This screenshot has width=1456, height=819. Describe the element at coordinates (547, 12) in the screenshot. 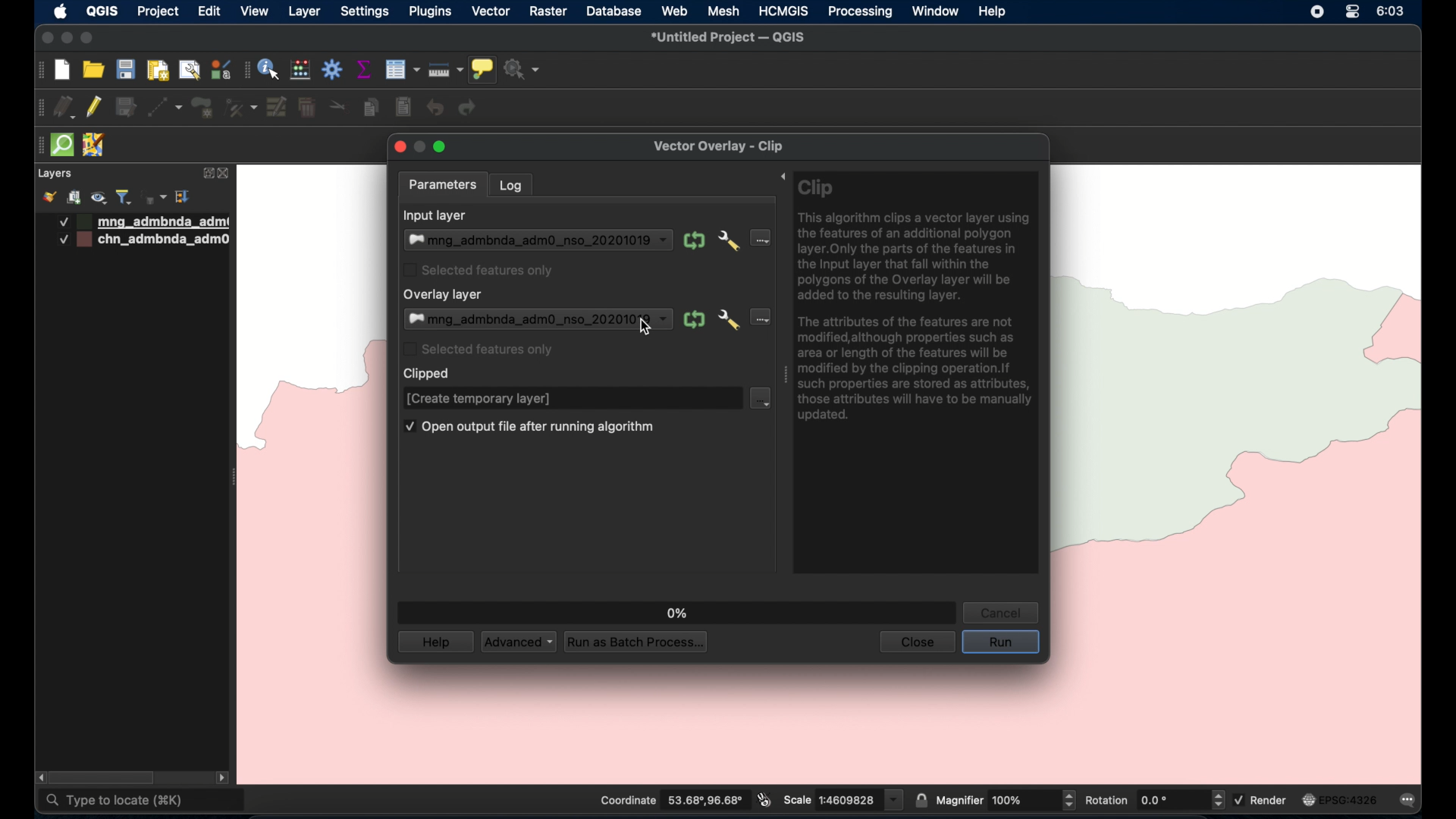

I see `raster` at that location.